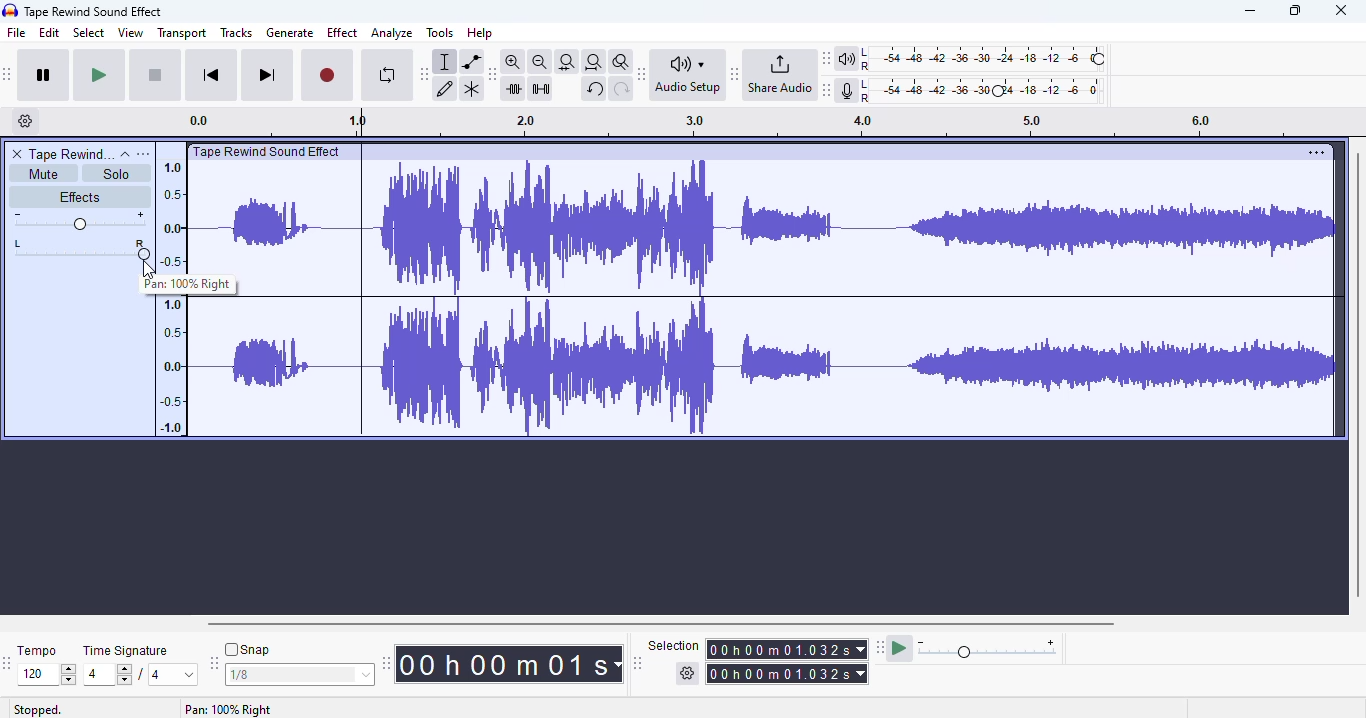 This screenshot has height=718, width=1366. I want to click on horizontal scroll bar, so click(663, 624).